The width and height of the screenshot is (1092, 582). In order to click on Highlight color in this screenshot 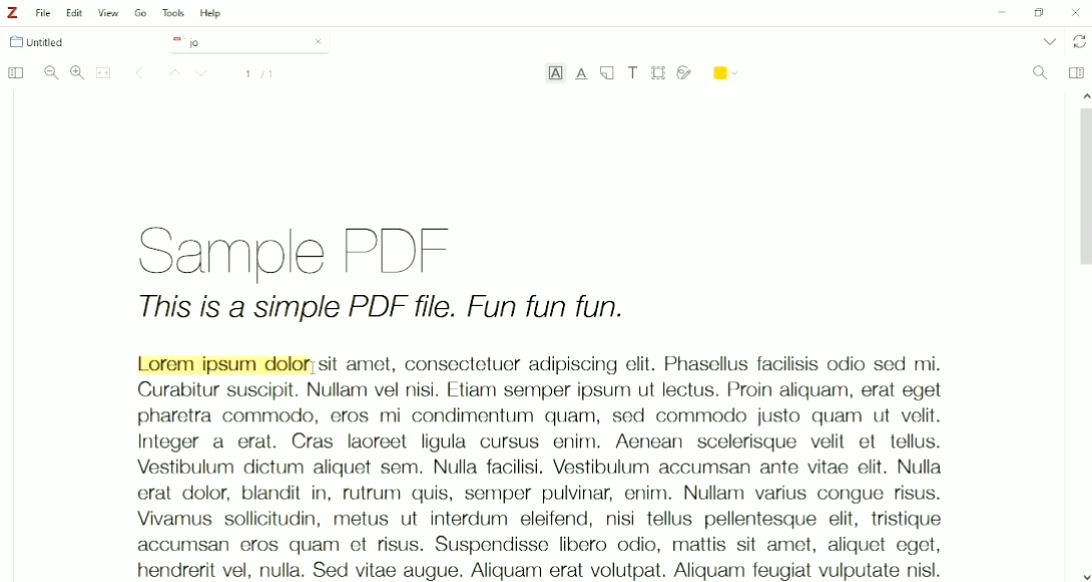, I will do `click(727, 71)`.